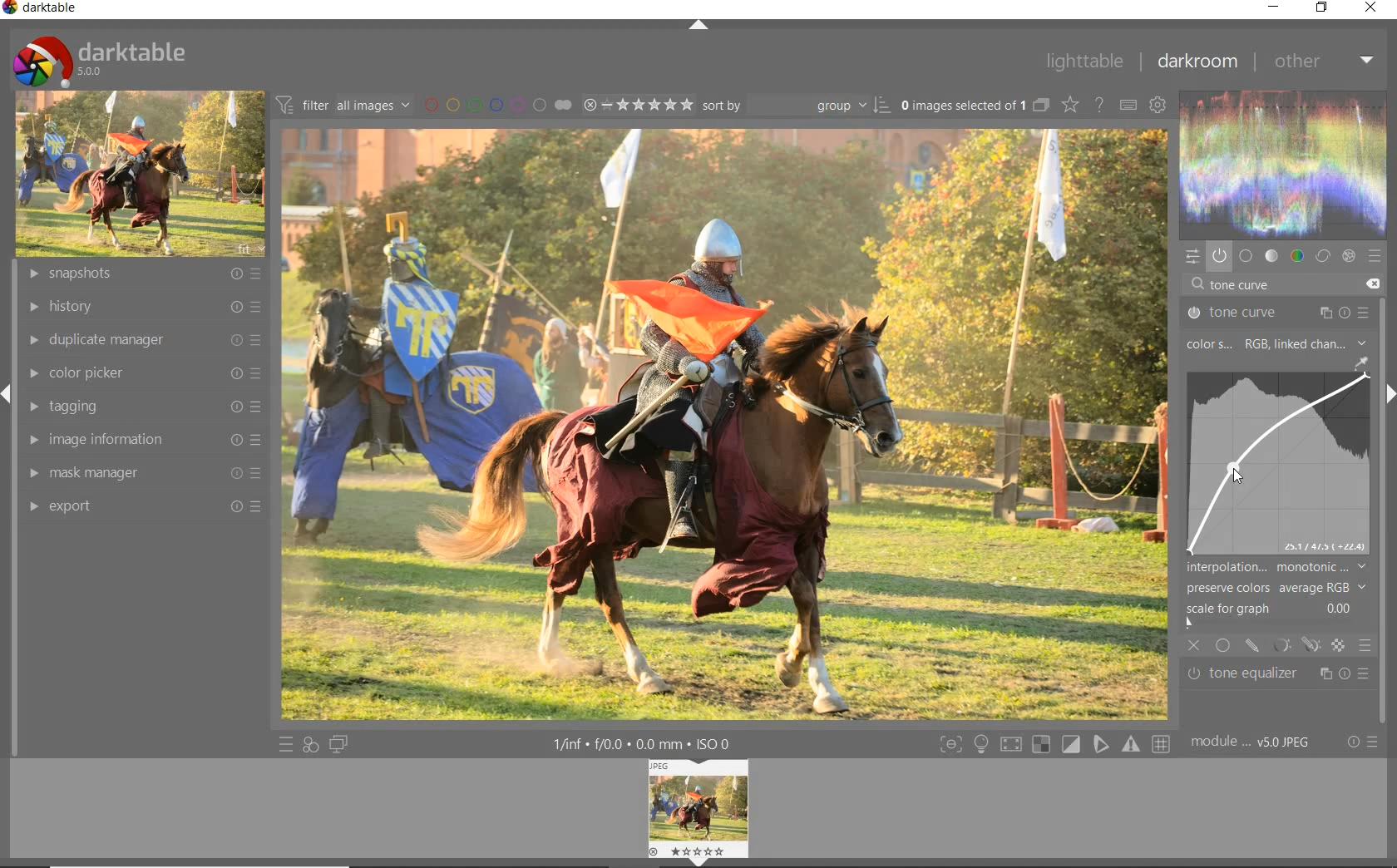 This screenshot has width=1397, height=868. I want to click on close, so click(1195, 647).